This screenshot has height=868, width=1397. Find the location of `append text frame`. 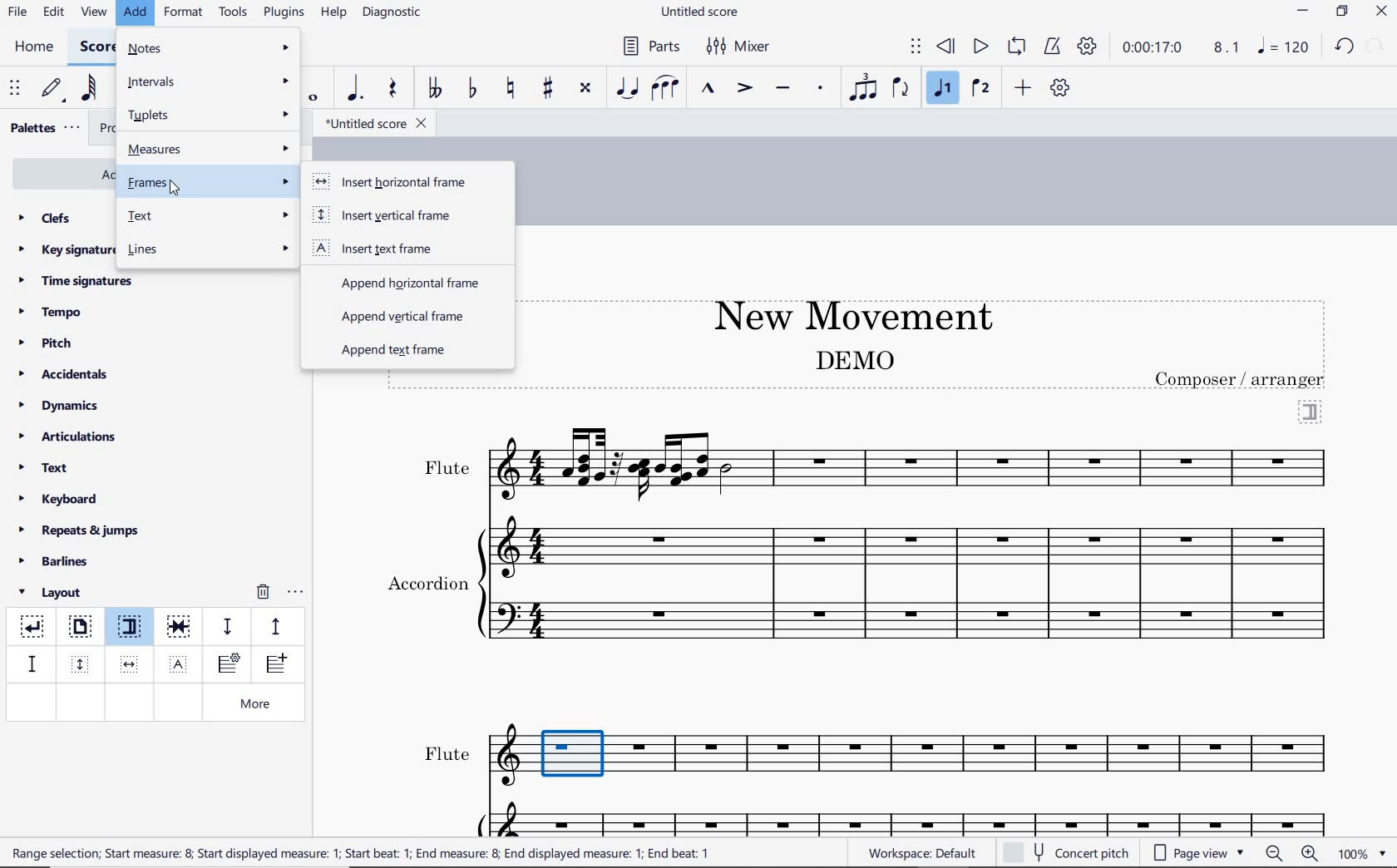

append text frame is located at coordinates (392, 352).